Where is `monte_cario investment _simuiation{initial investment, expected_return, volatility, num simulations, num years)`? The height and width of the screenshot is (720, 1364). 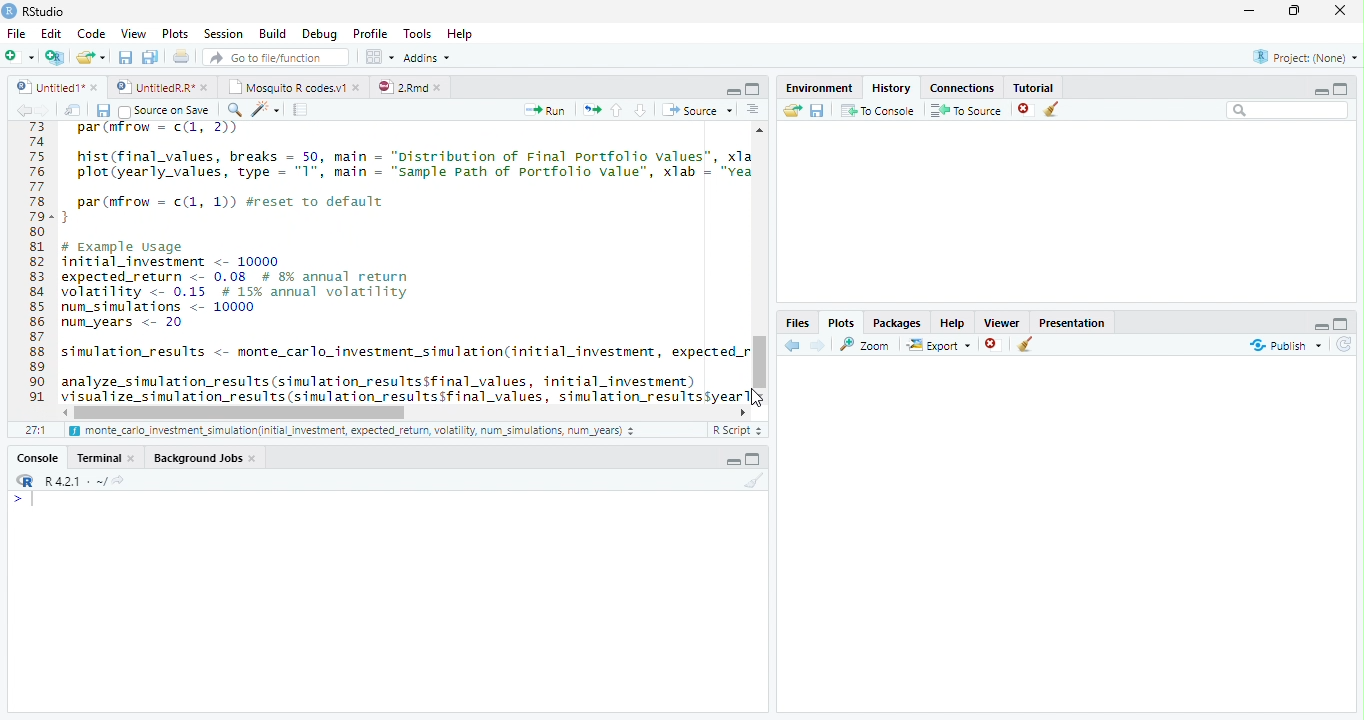
monte_cario investment _simuiation{initial investment, expected_return, volatility, num simulations, num years) is located at coordinates (354, 432).